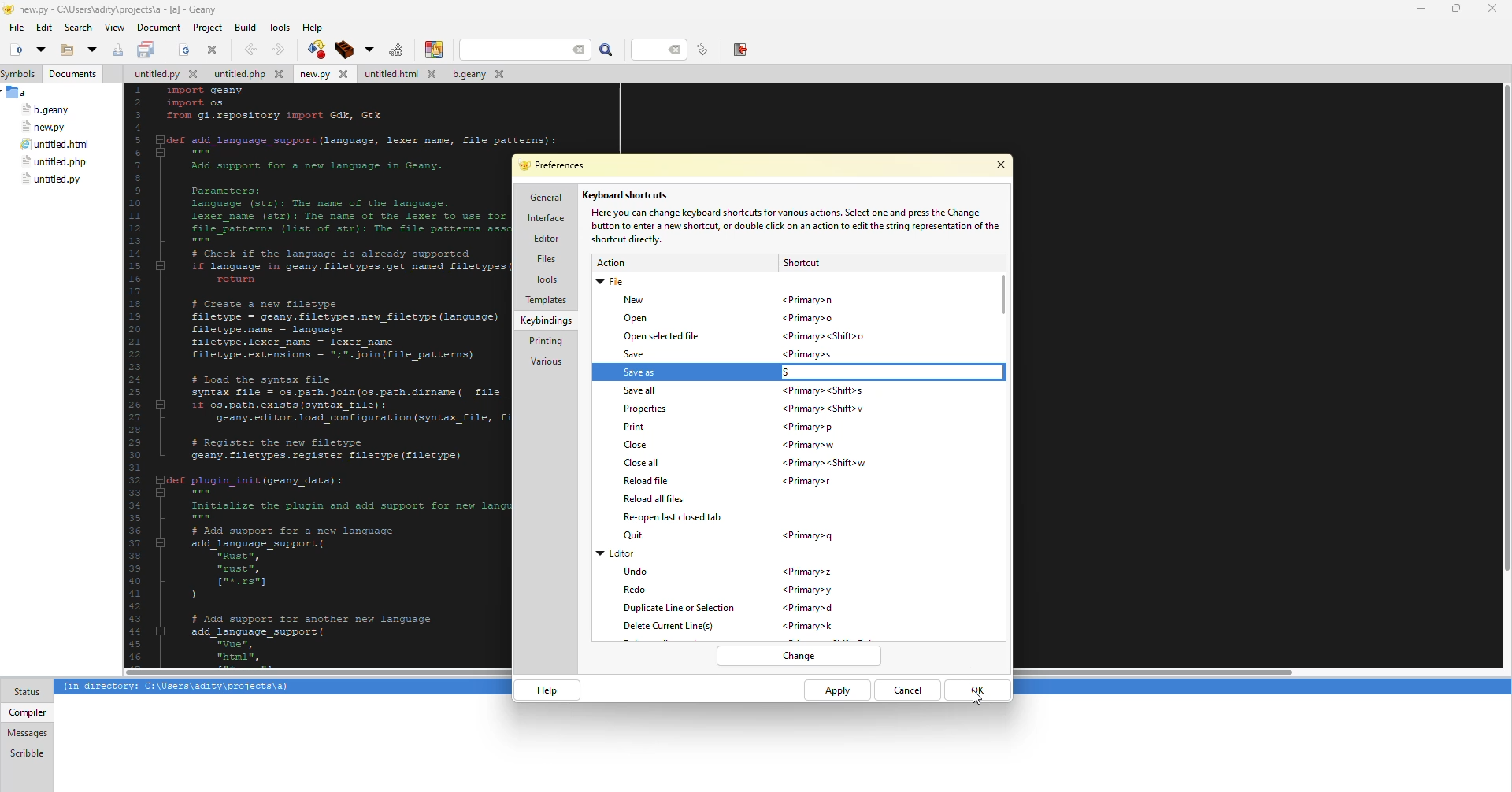  Describe the element at coordinates (249, 49) in the screenshot. I see `back` at that location.